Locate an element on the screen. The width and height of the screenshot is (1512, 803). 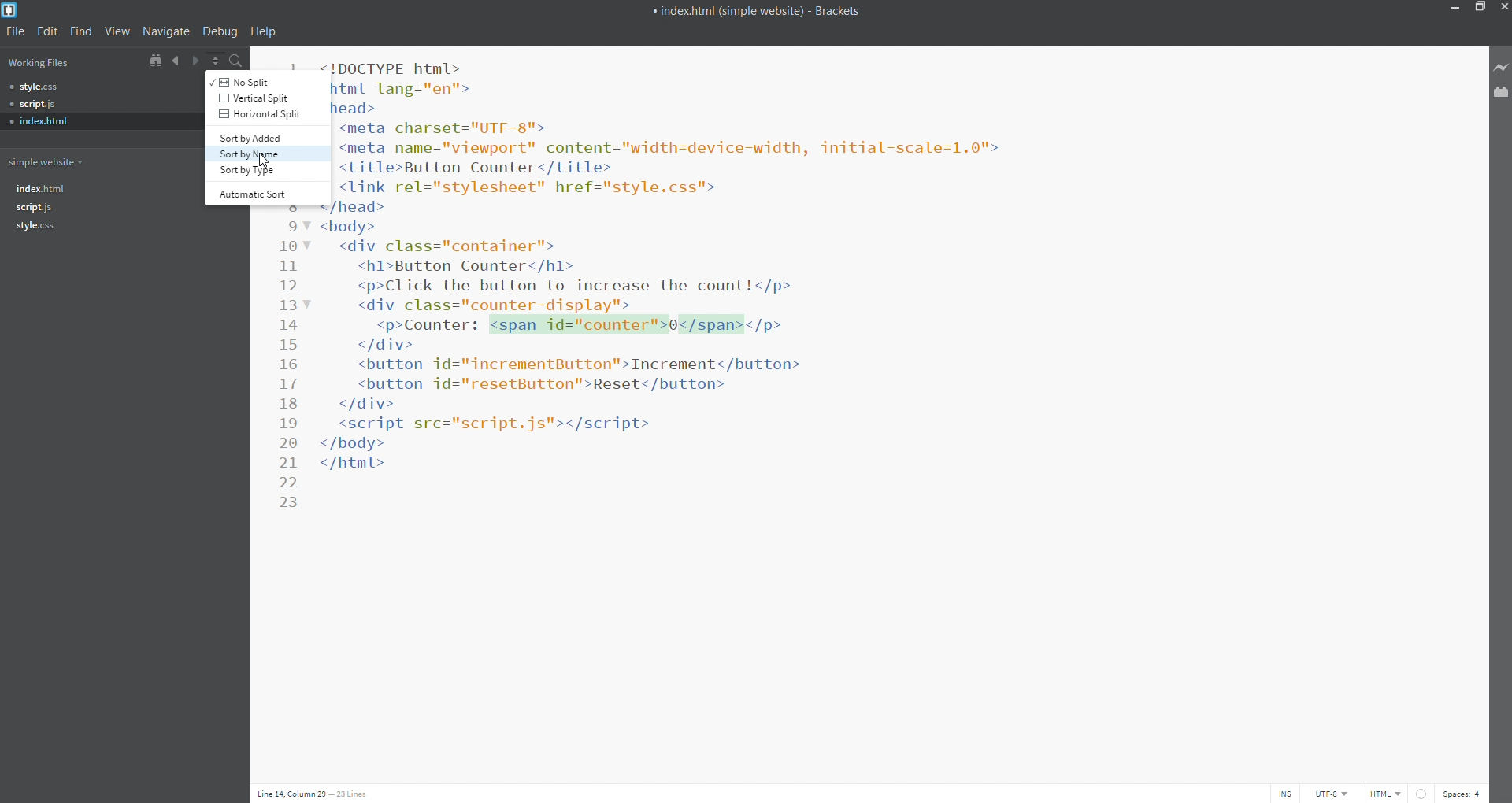
script.js is located at coordinates (98, 102).